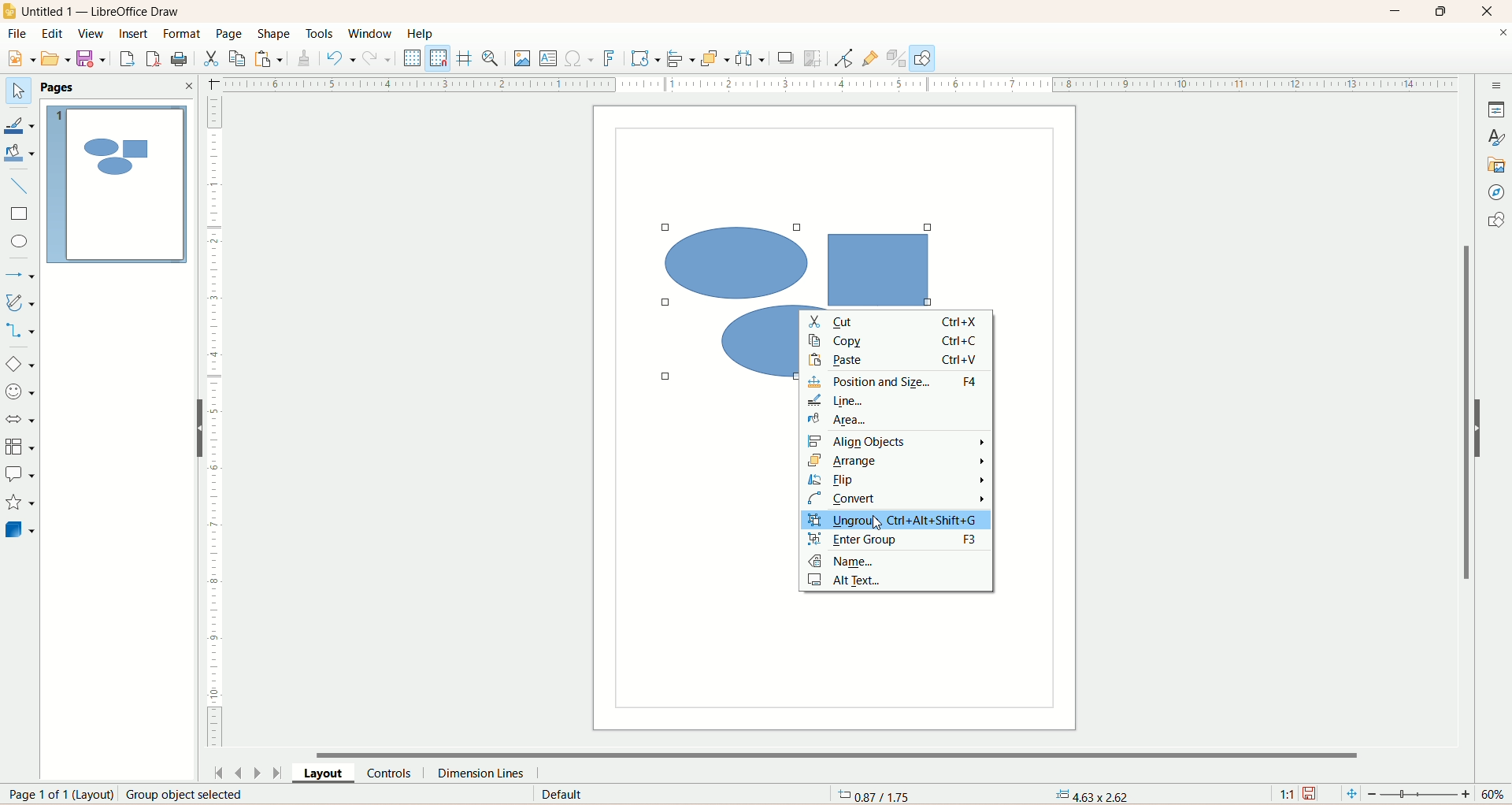 Image resolution: width=1512 pixels, height=805 pixels. Describe the element at coordinates (839, 564) in the screenshot. I see `name` at that location.